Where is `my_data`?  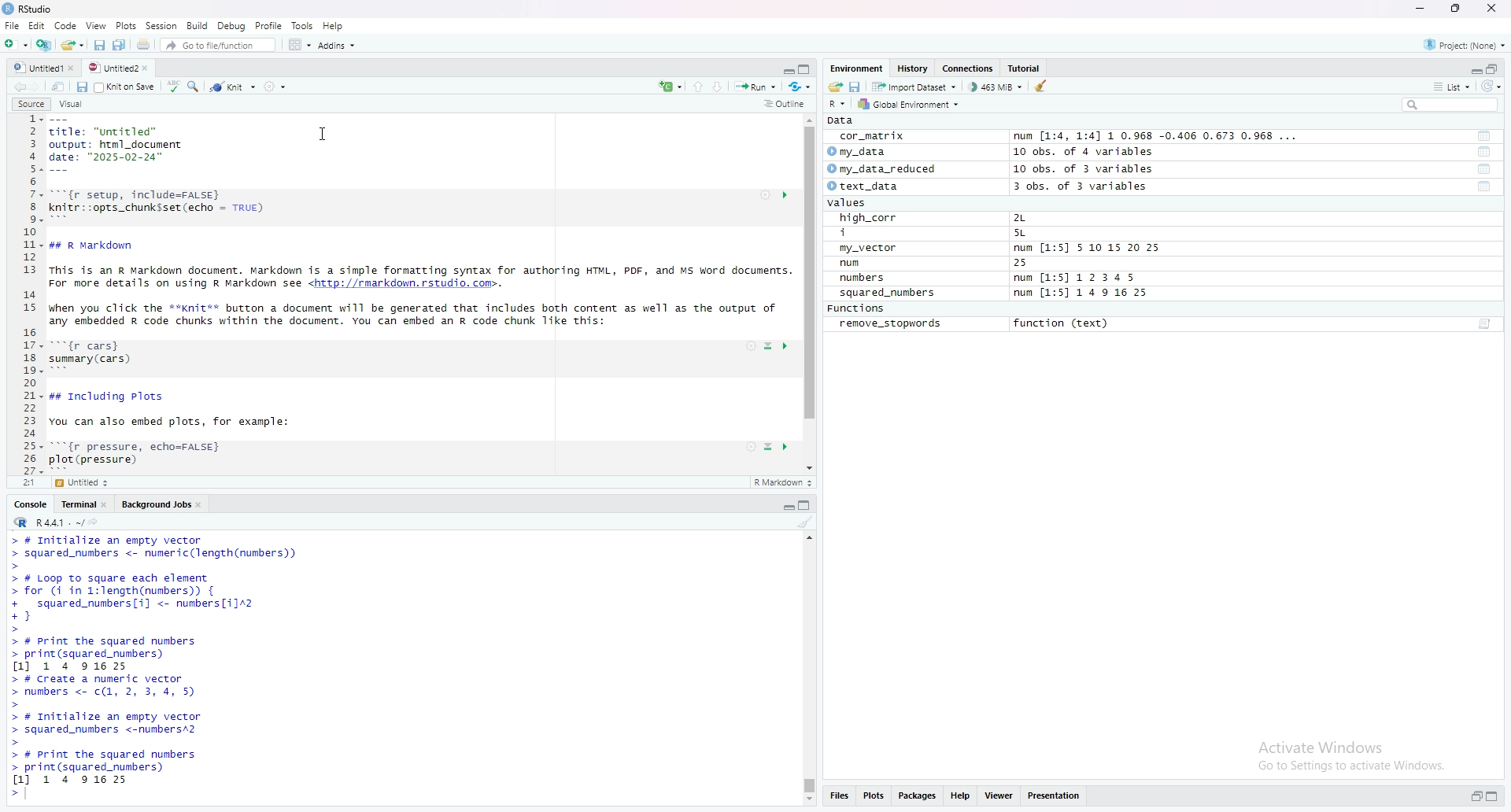
my_data is located at coordinates (866, 151).